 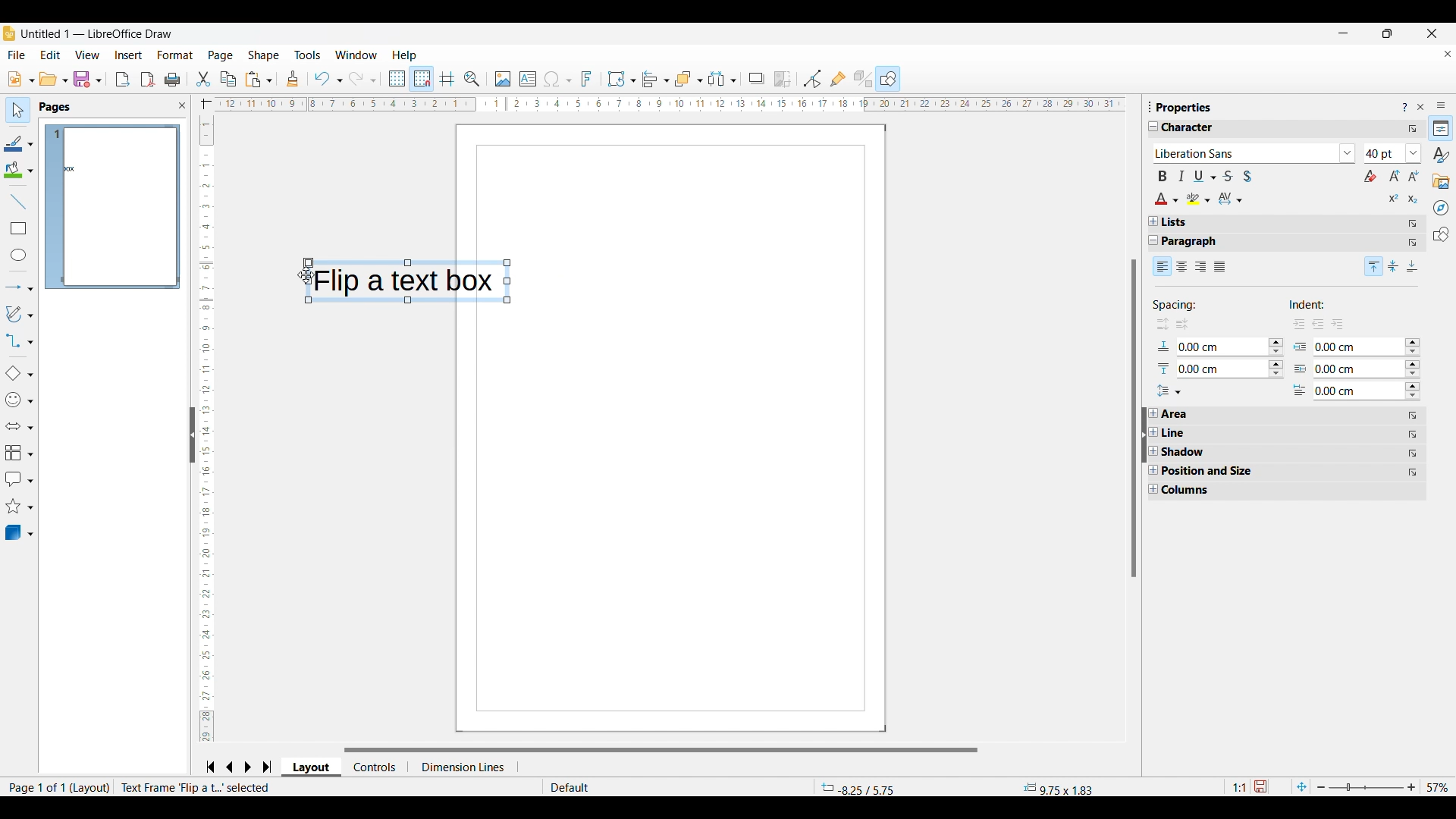 What do you see at coordinates (757, 79) in the screenshot?
I see `Shadow` at bounding box center [757, 79].